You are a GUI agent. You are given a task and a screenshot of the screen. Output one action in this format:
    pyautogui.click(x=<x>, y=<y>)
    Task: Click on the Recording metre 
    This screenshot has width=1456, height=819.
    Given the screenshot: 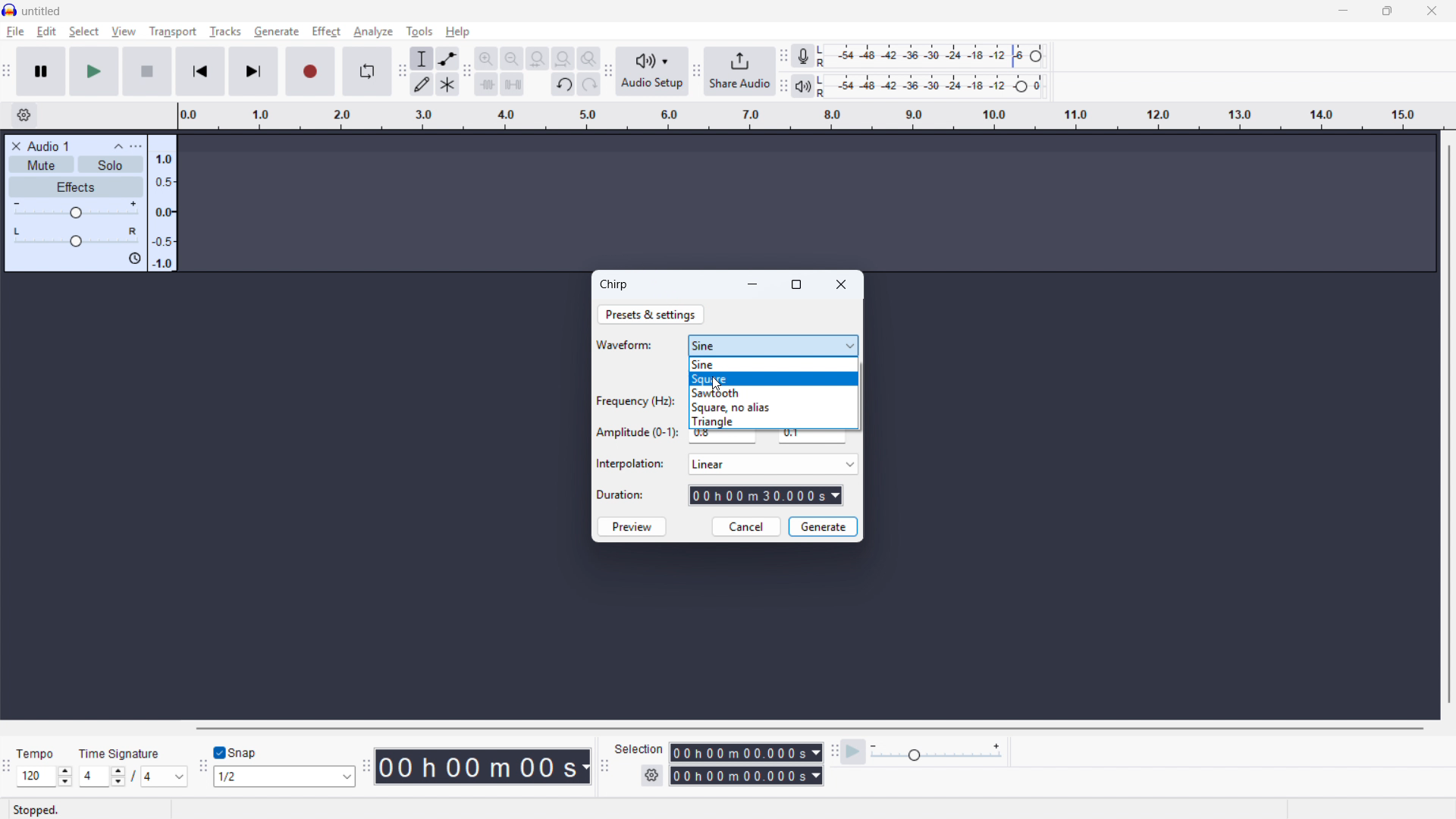 What is the action you would take?
    pyautogui.click(x=802, y=55)
    